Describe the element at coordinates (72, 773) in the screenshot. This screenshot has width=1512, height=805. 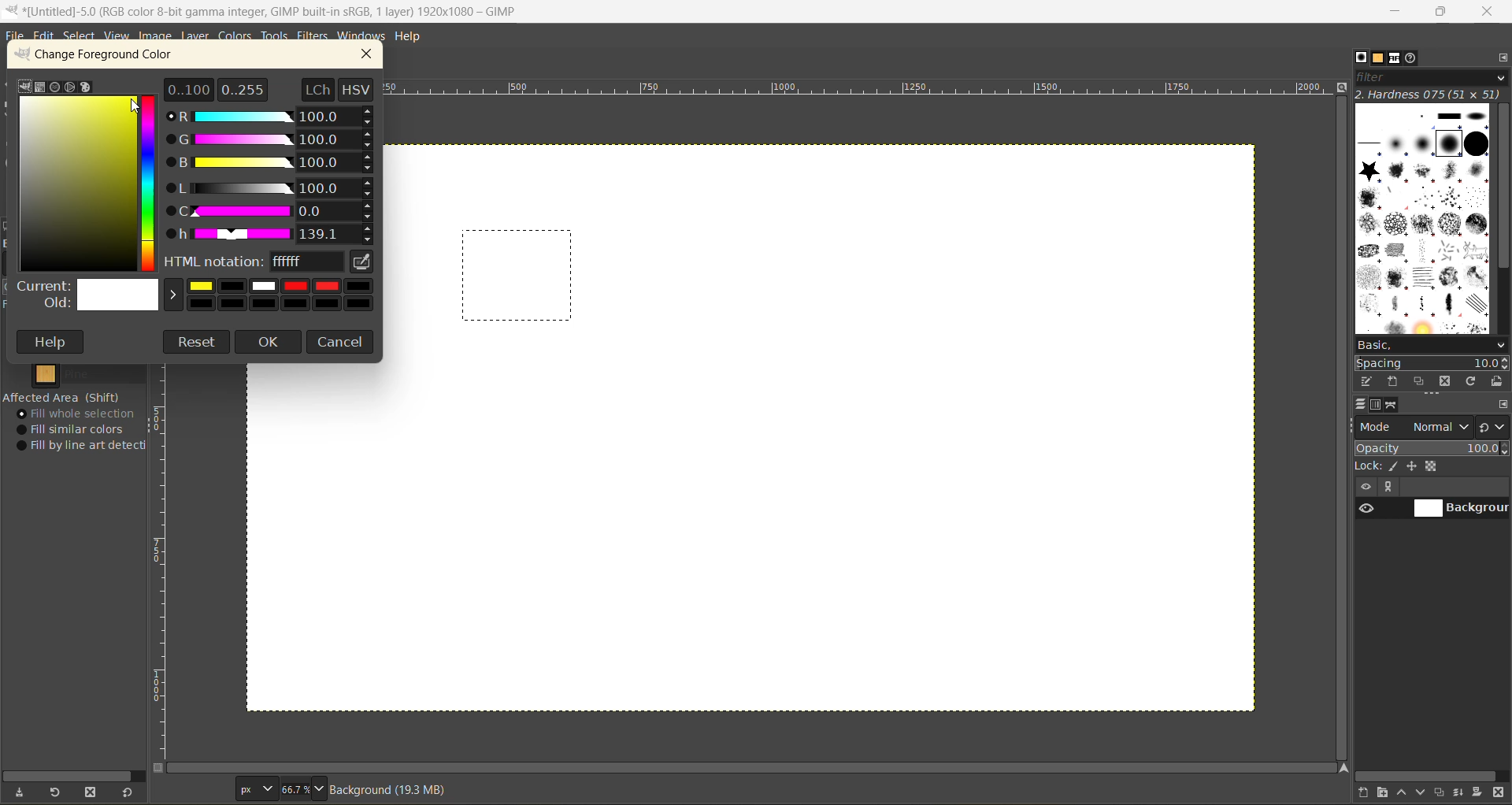
I see `horizontal scroll bar` at that location.